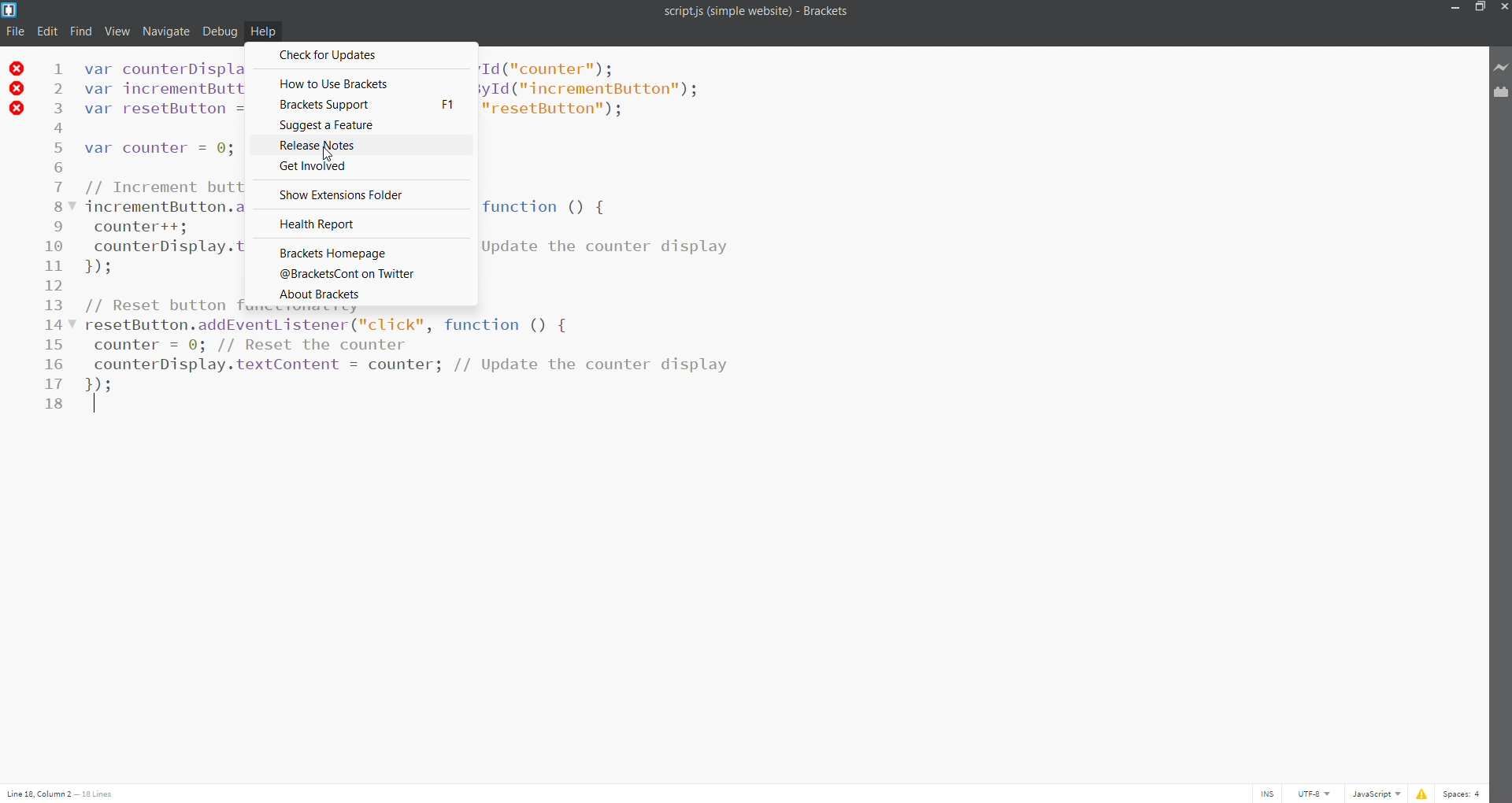 This screenshot has height=803, width=1512. I want to click on close, so click(1503, 7).